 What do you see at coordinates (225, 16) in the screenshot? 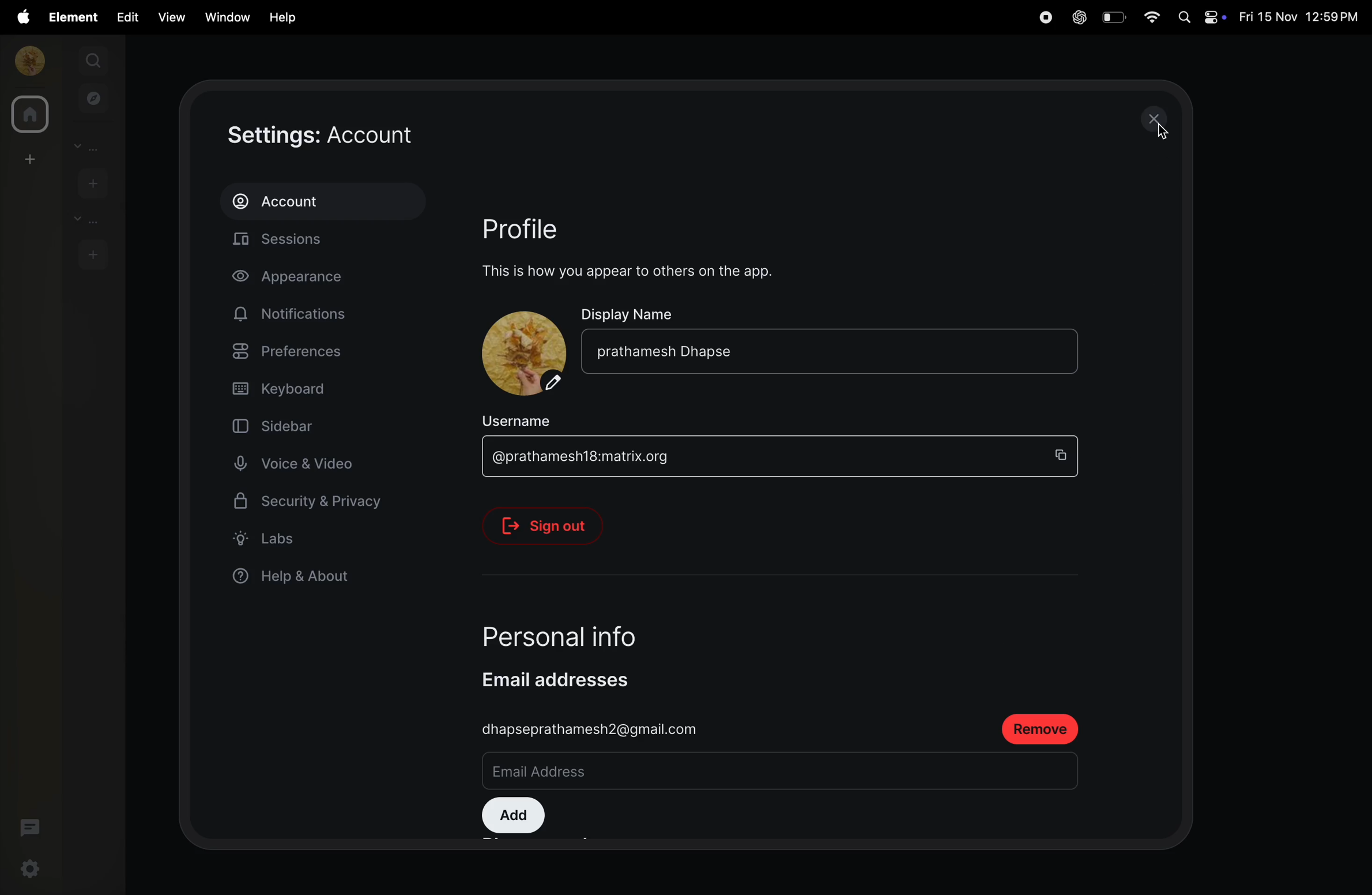
I see `window` at bounding box center [225, 16].